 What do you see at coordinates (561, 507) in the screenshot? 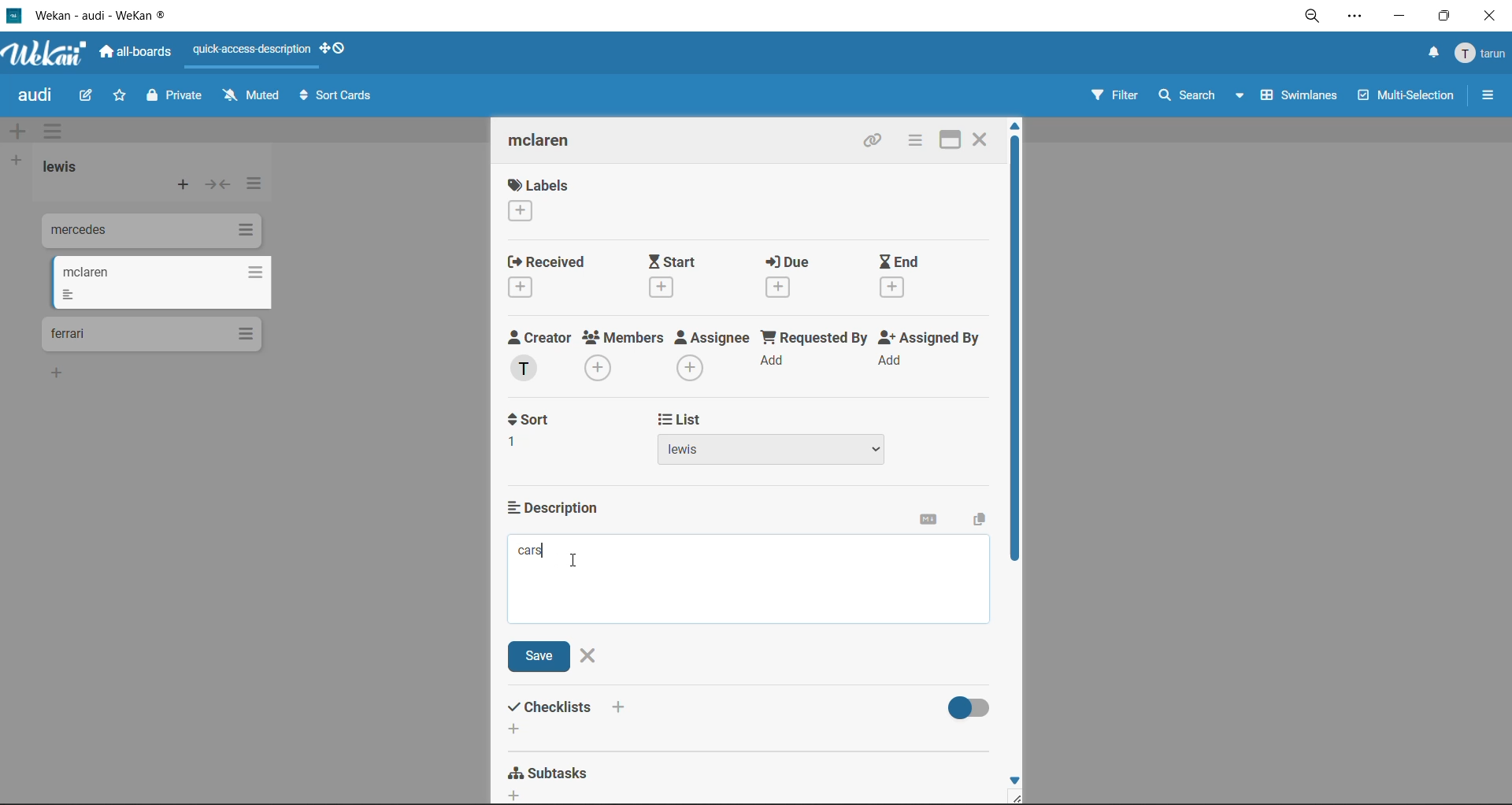
I see `description` at bounding box center [561, 507].